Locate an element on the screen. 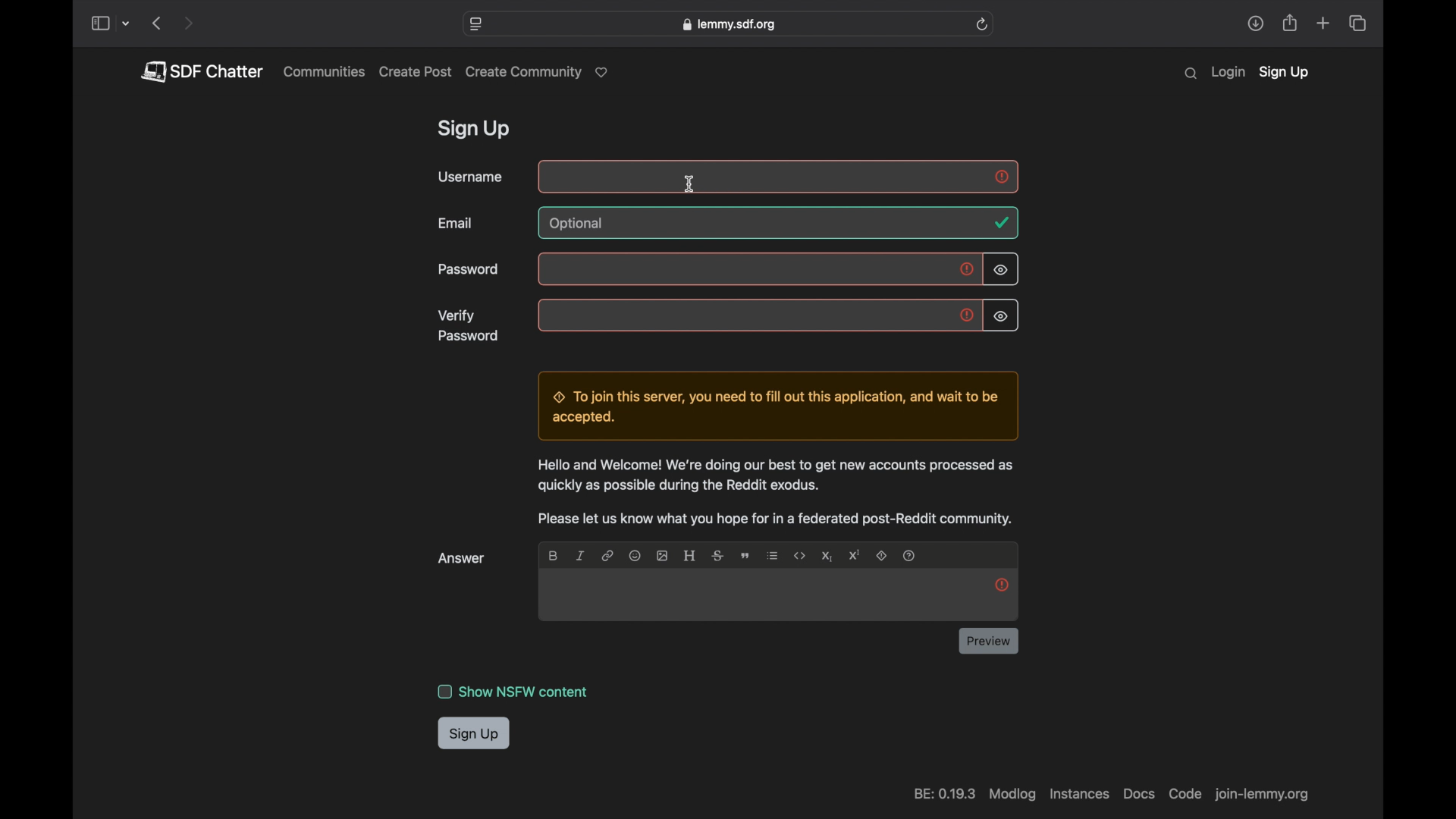 This screenshot has width=1456, height=819. be 0.19.3 is located at coordinates (943, 794).